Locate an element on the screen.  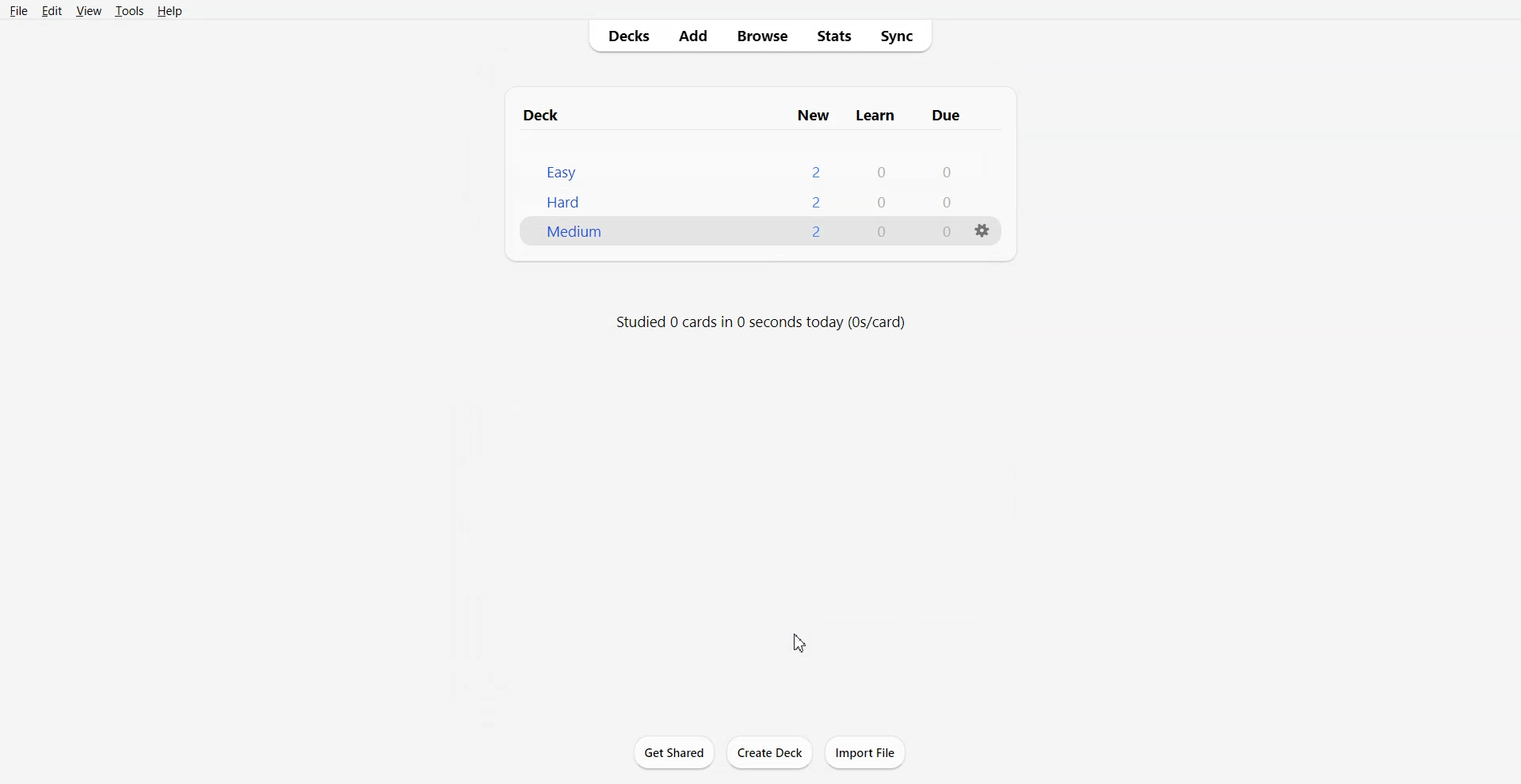
Get Shared is located at coordinates (674, 752).